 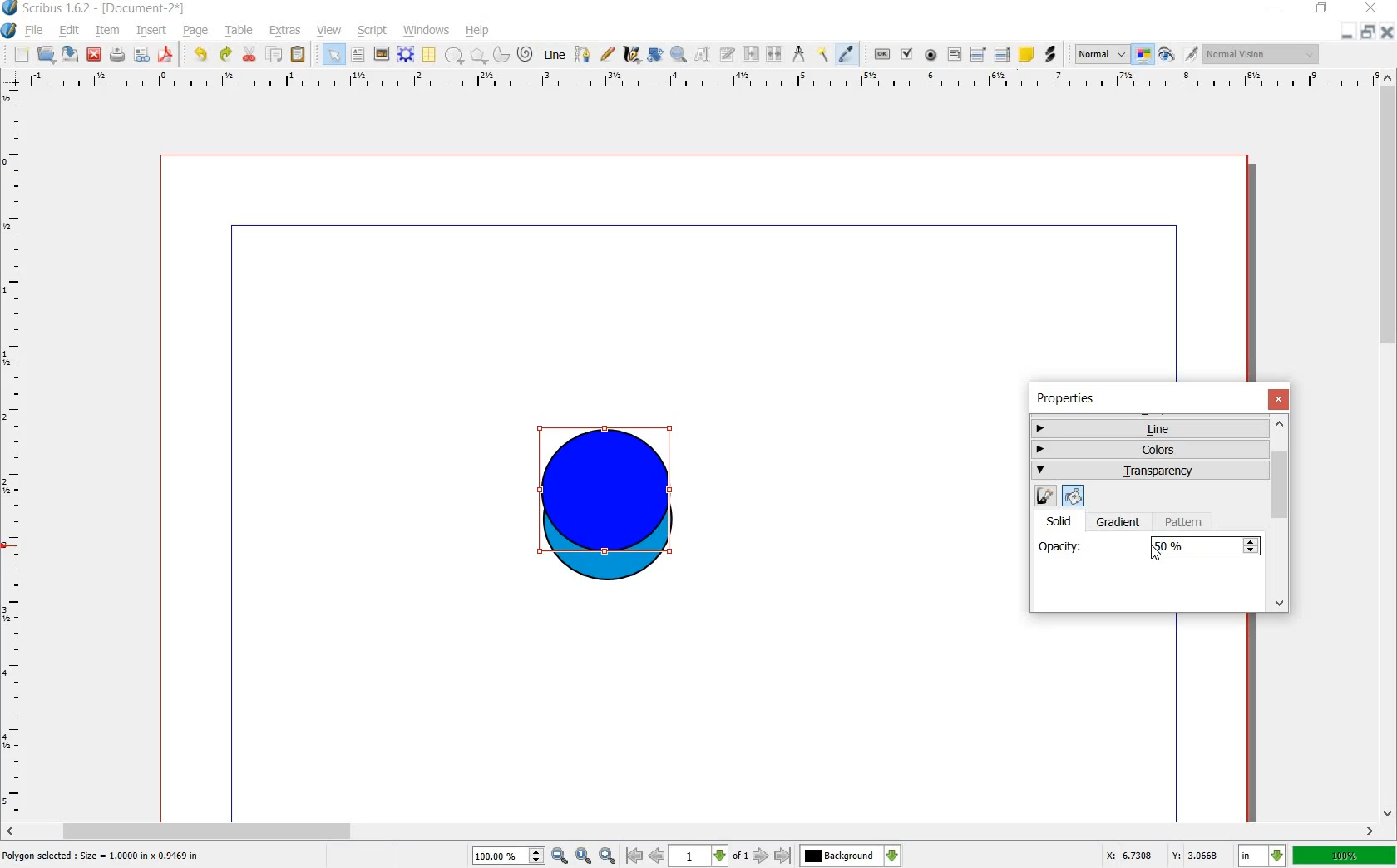 I want to click on of 1, so click(x=740, y=856).